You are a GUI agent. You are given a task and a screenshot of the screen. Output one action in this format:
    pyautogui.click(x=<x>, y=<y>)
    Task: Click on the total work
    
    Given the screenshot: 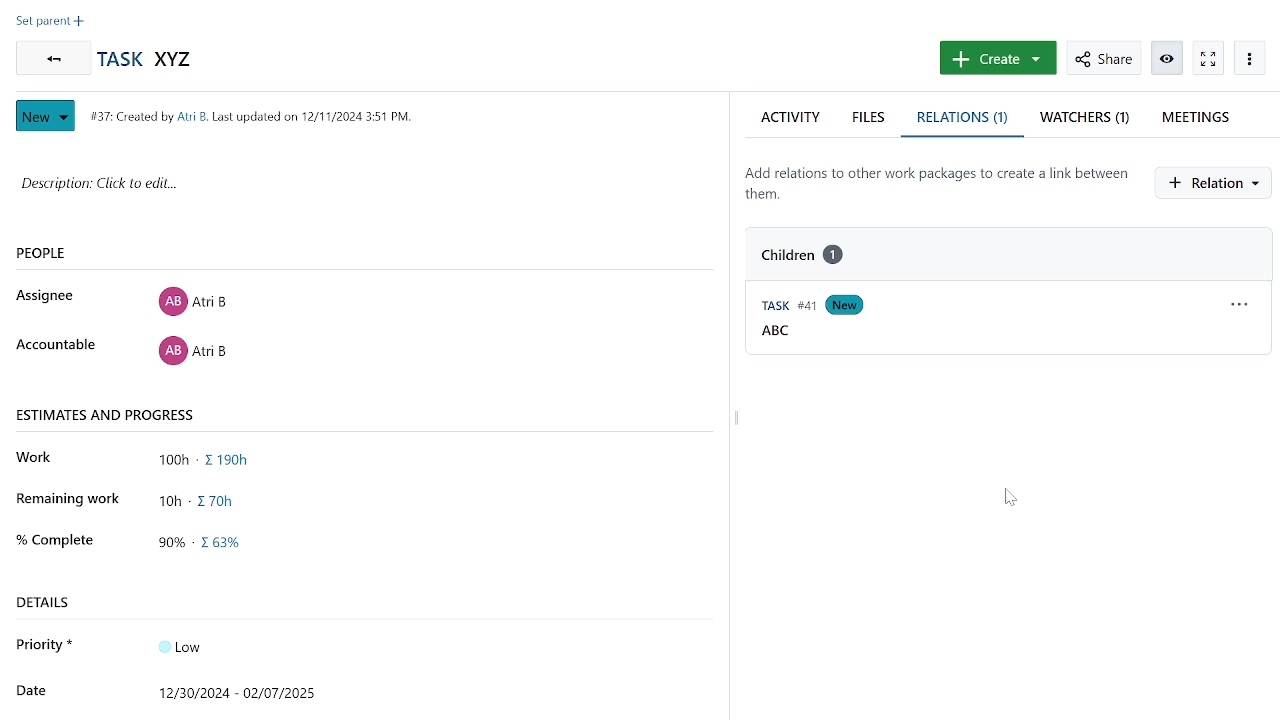 What is the action you would take?
    pyautogui.click(x=210, y=461)
    